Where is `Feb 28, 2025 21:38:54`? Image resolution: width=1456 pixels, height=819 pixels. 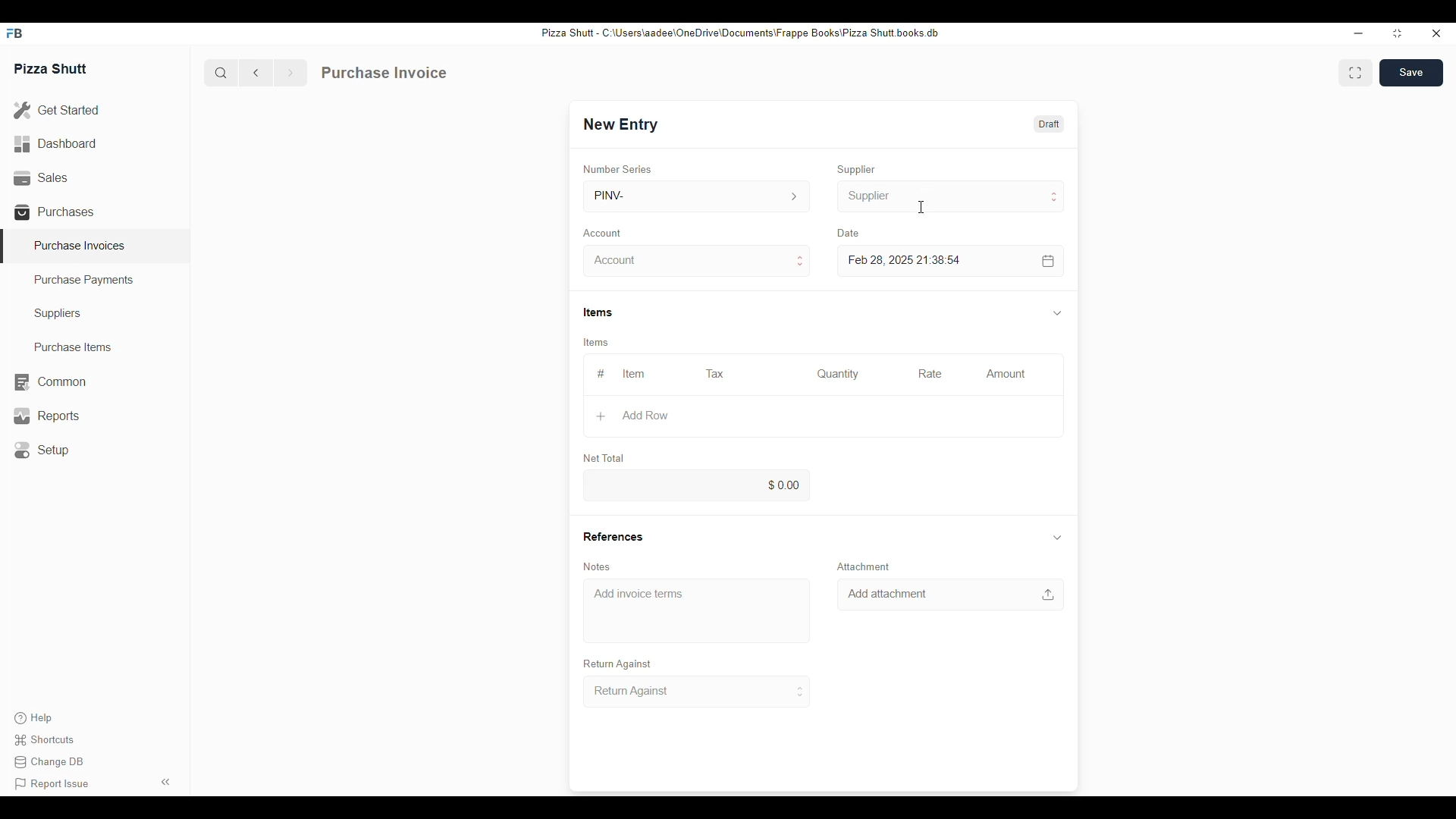 Feb 28, 2025 21:38:54 is located at coordinates (907, 260).